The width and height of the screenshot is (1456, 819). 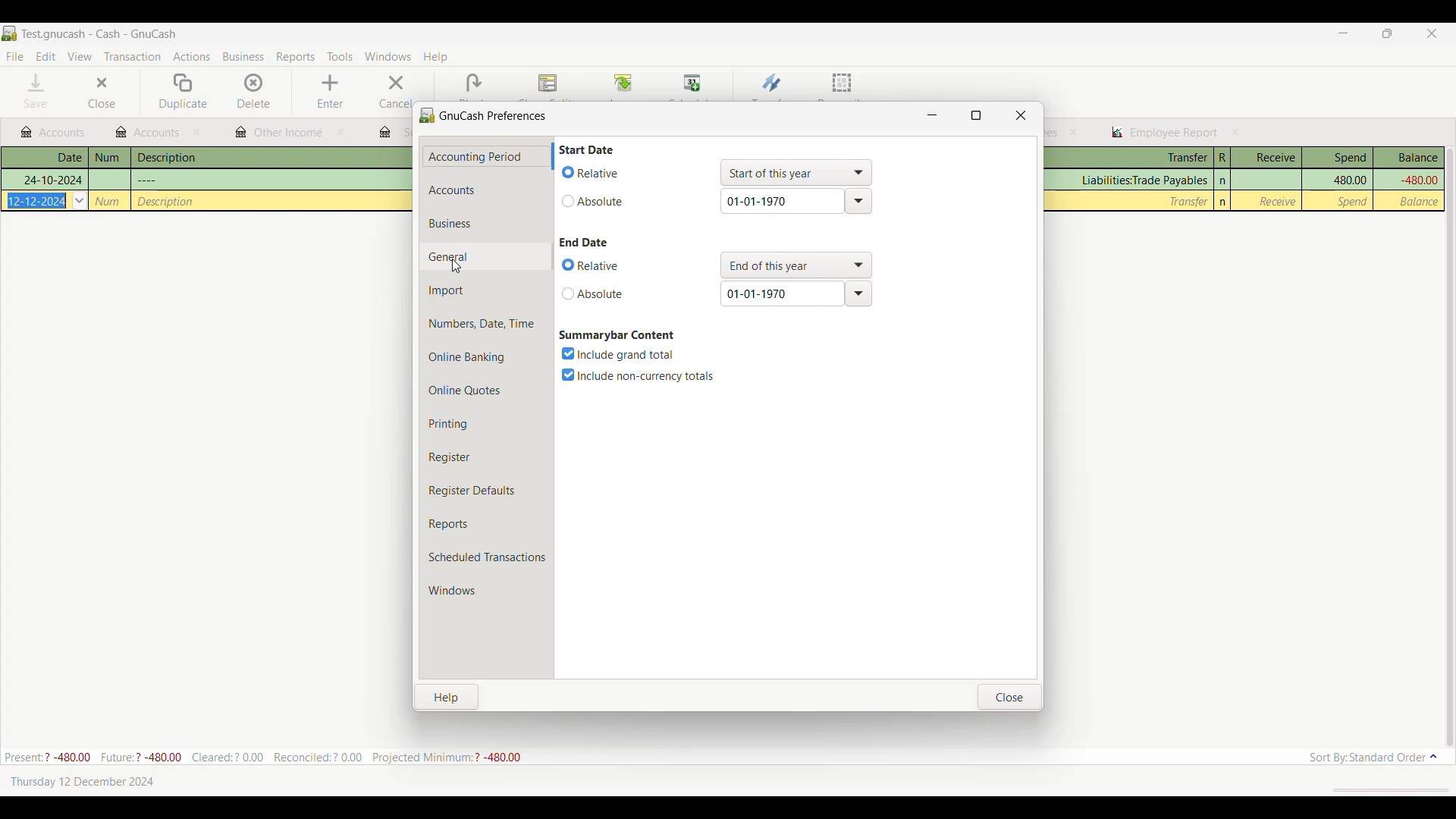 What do you see at coordinates (594, 201) in the screenshot?
I see `Toggle options that also indicate date settings` at bounding box center [594, 201].